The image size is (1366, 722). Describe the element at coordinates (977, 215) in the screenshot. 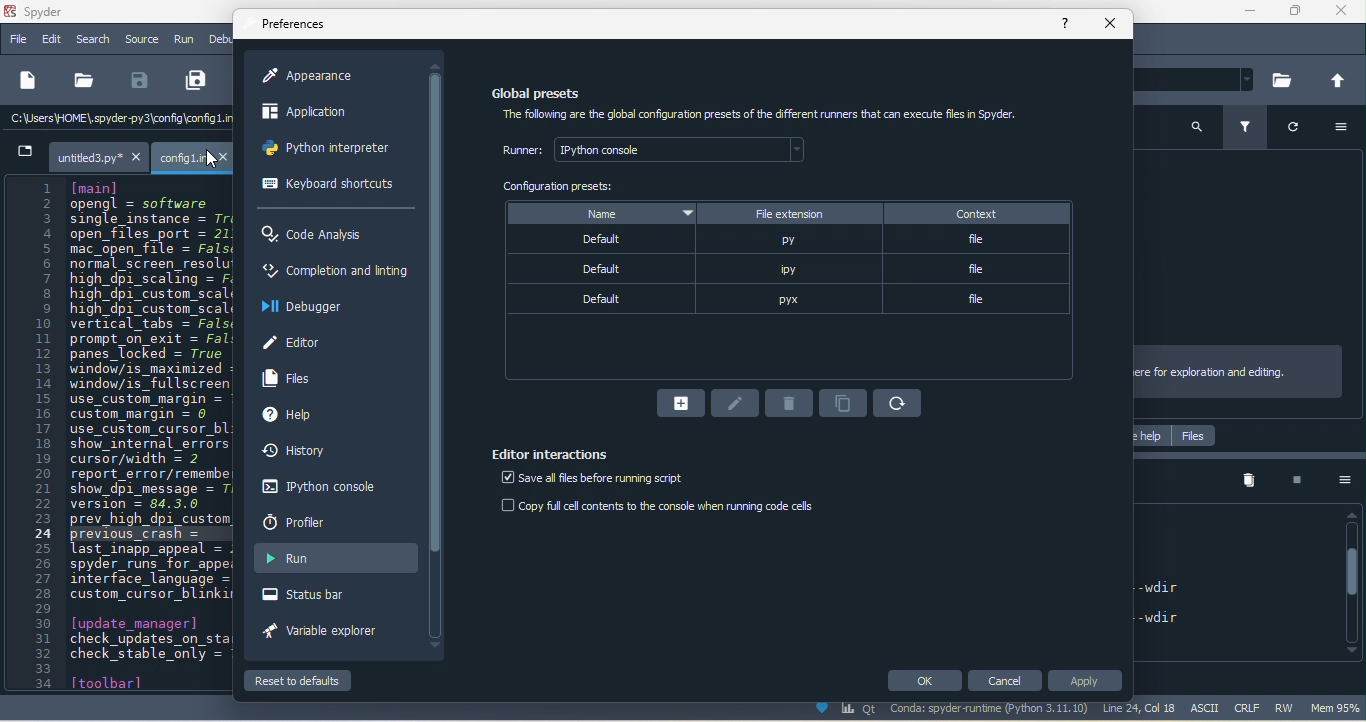

I see `context` at that location.